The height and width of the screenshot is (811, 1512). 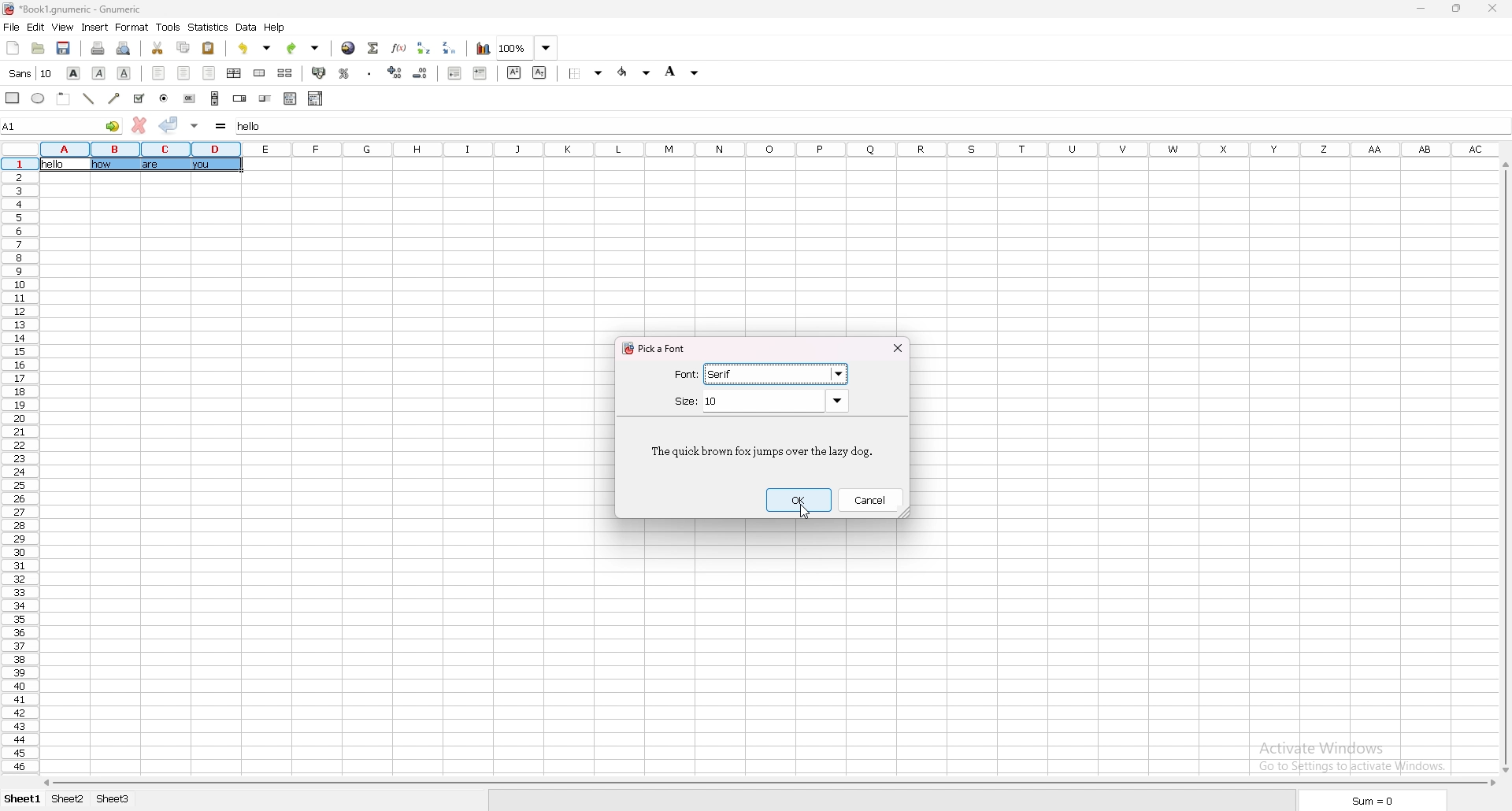 What do you see at coordinates (96, 26) in the screenshot?
I see `insert` at bounding box center [96, 26].